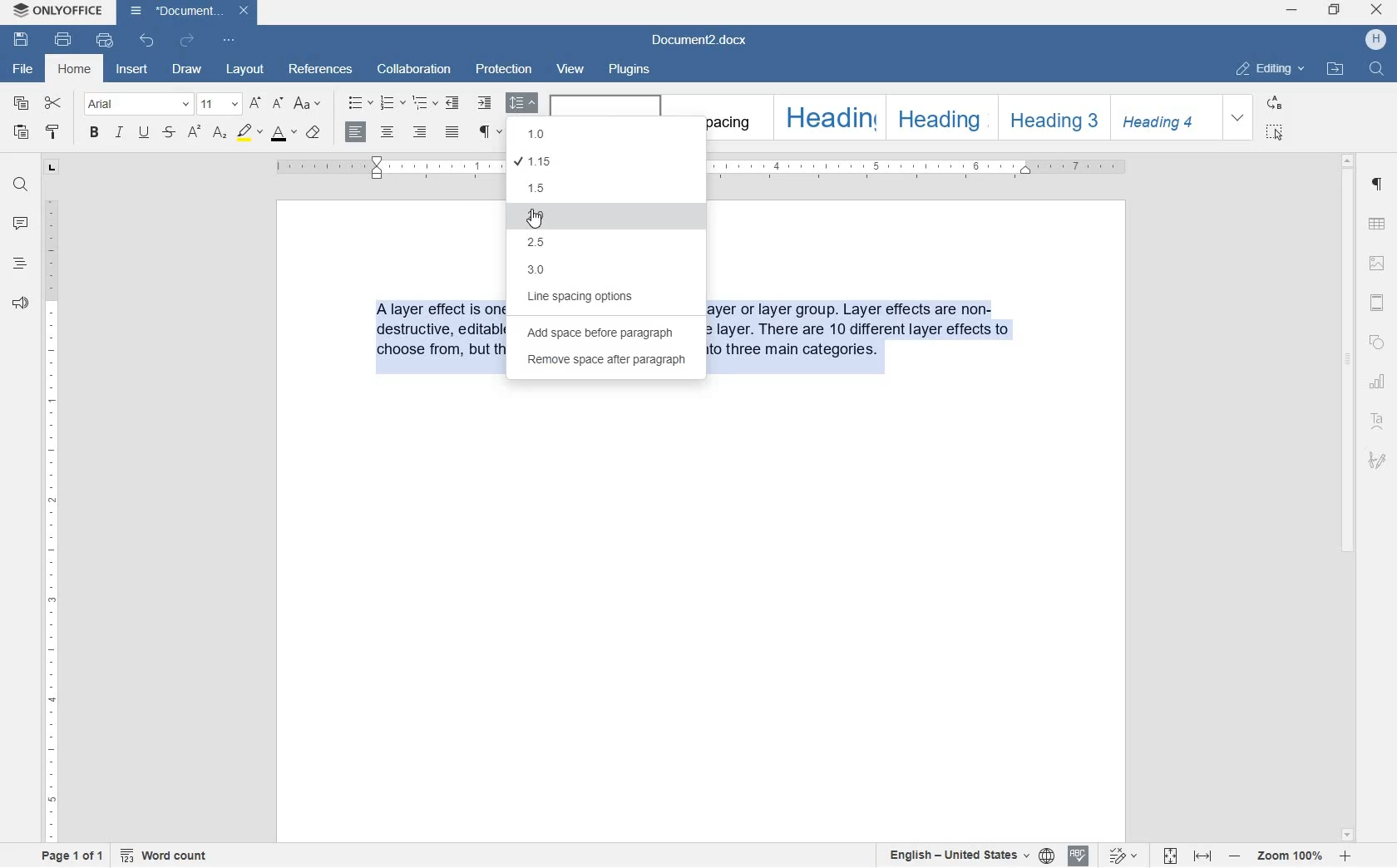 This screenshot has height=868, width=1397. Describe the element at coordinates (120, 133) in the screenshot. I see `italic` at that location.